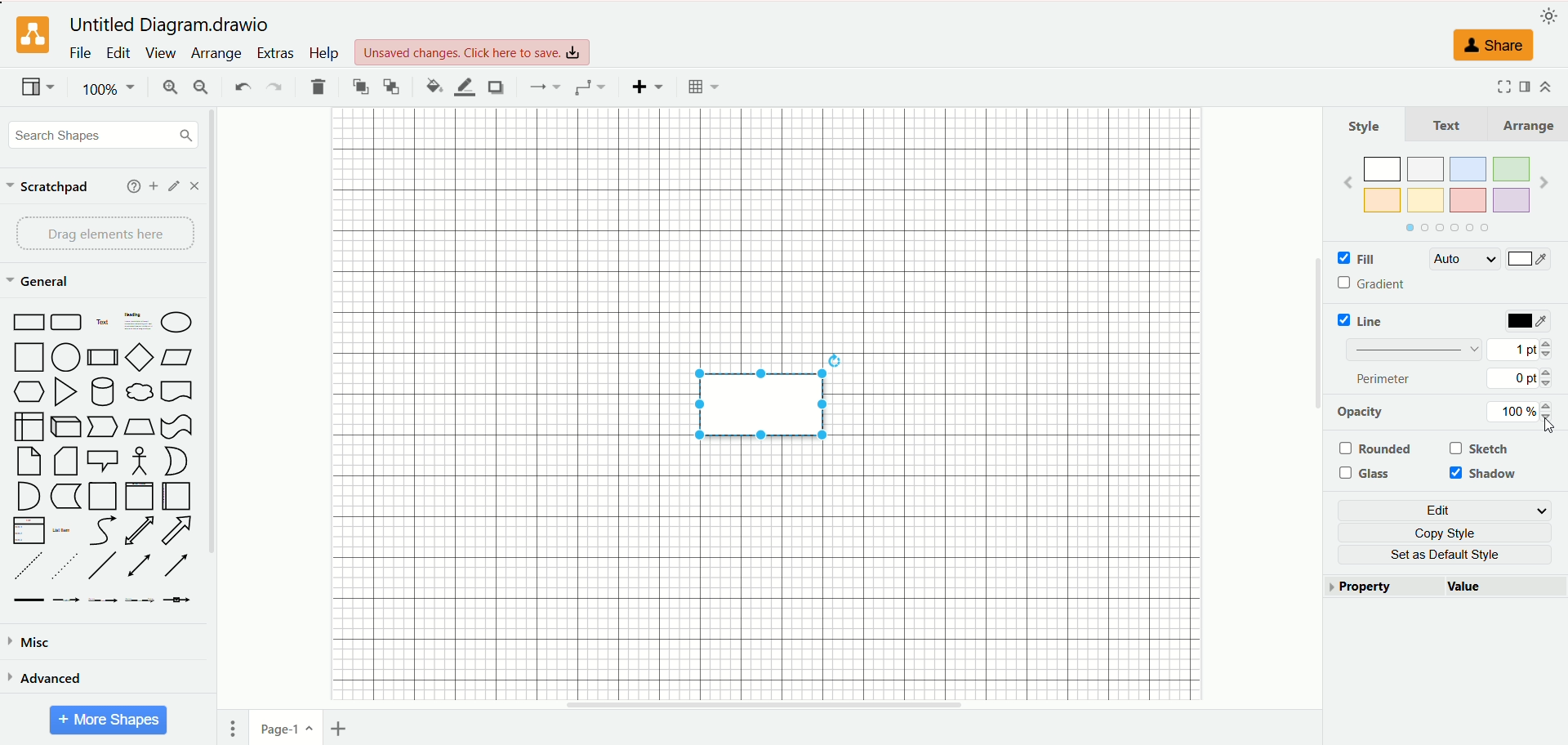  Describe the element at coordinates (45, 677) in the screenshot. I see `advanced` at that location.